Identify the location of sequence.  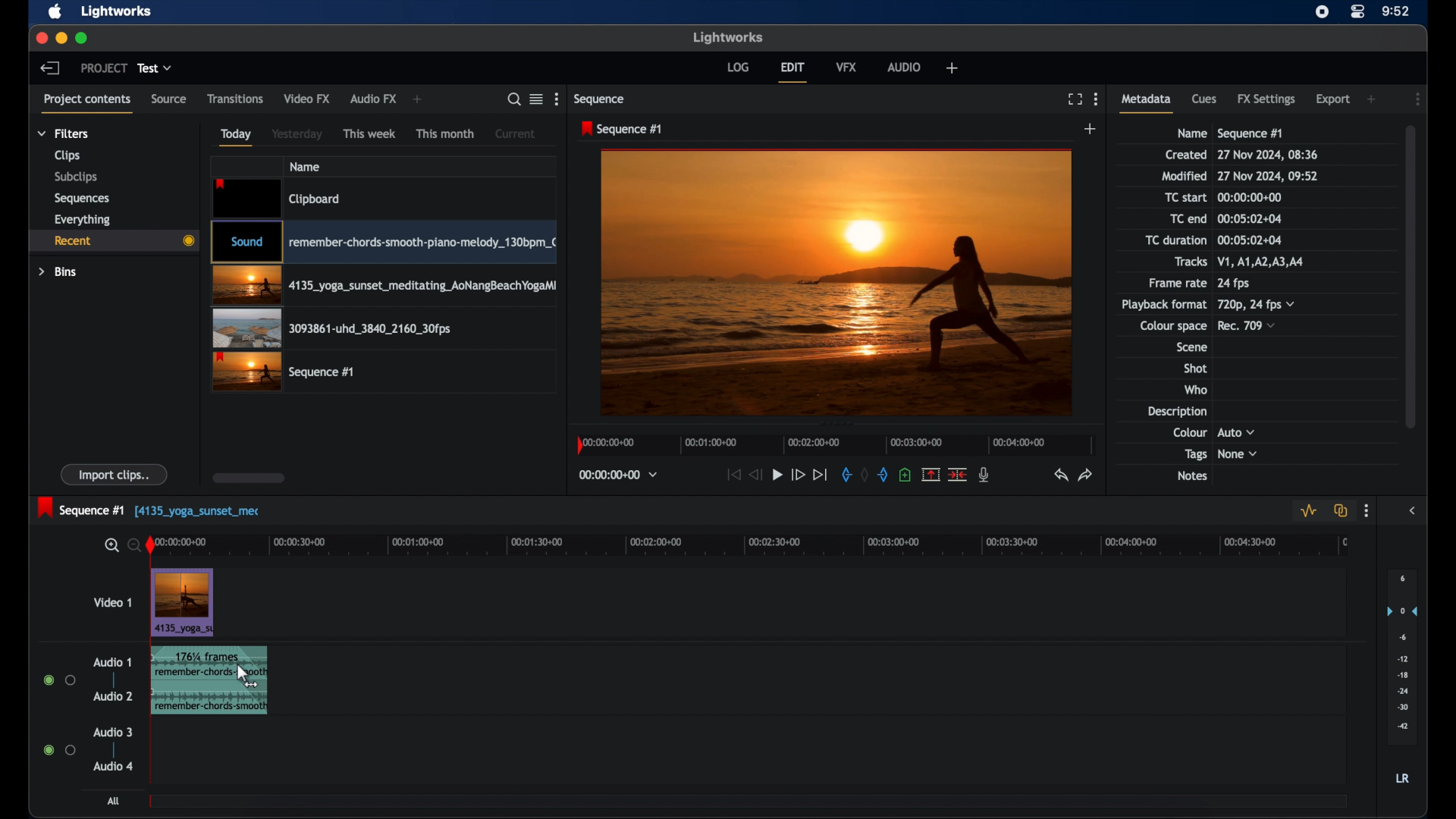
(601, 100).